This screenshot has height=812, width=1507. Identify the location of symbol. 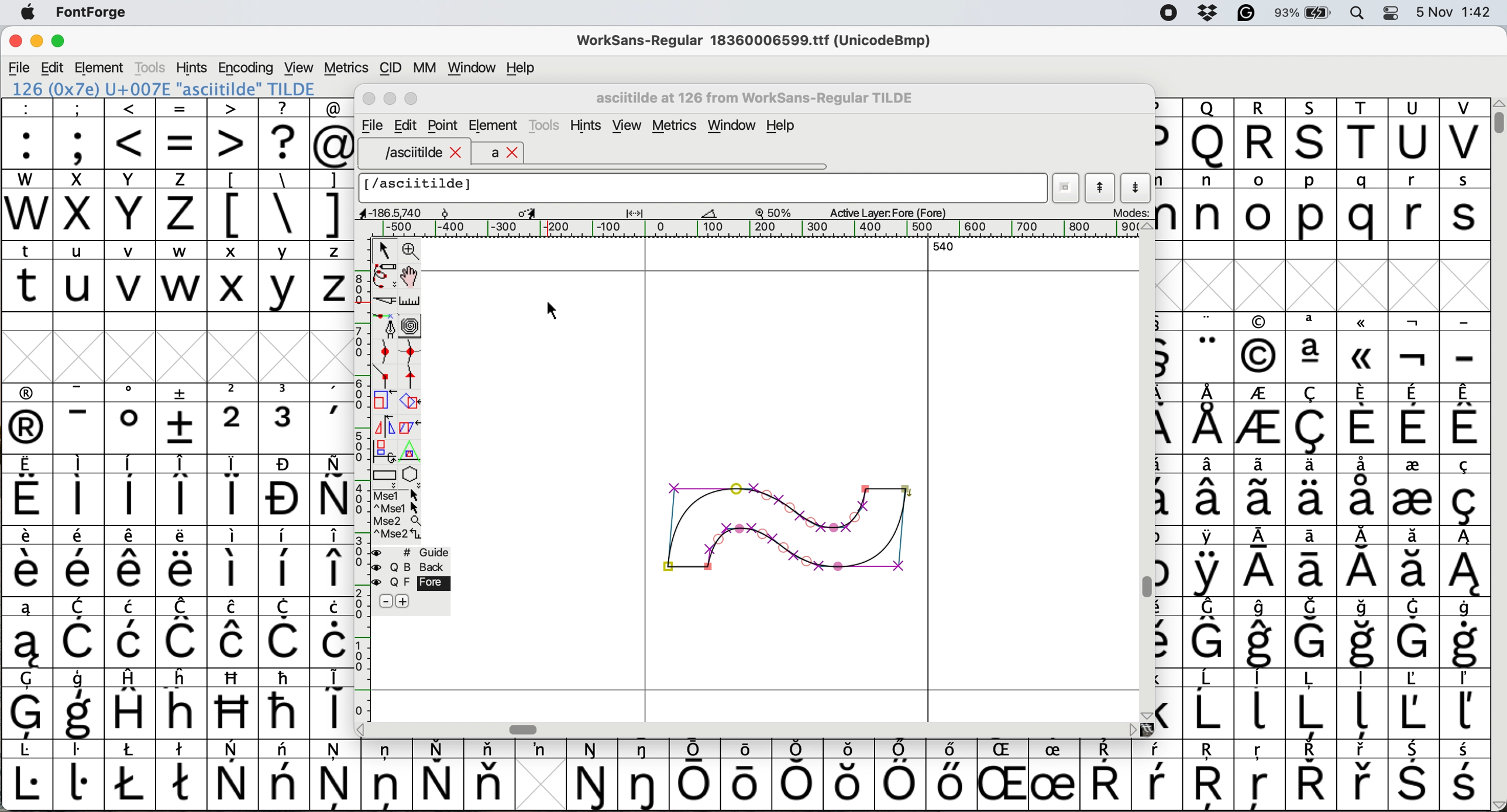
(132, 562).